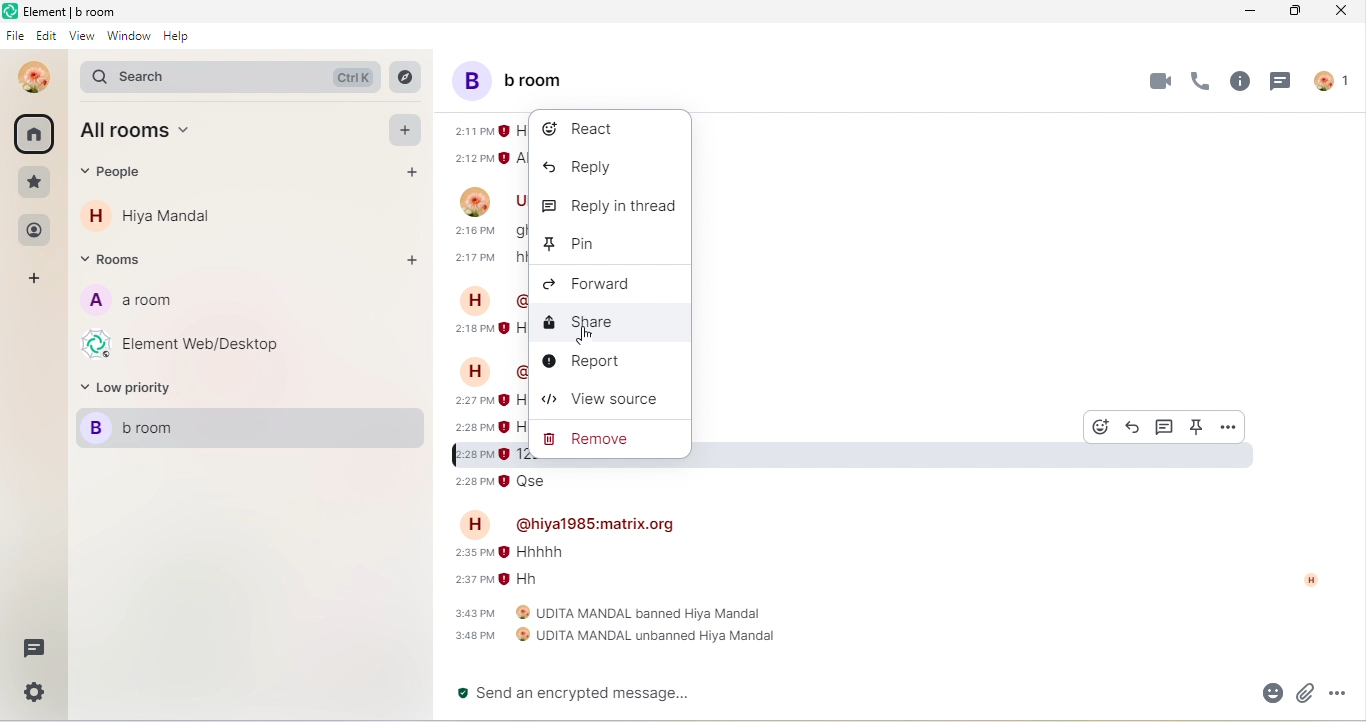 The image size is (1366, 722). Describe the element at coordinates (567, 243) in the screenshot. I see `pin` at that location.